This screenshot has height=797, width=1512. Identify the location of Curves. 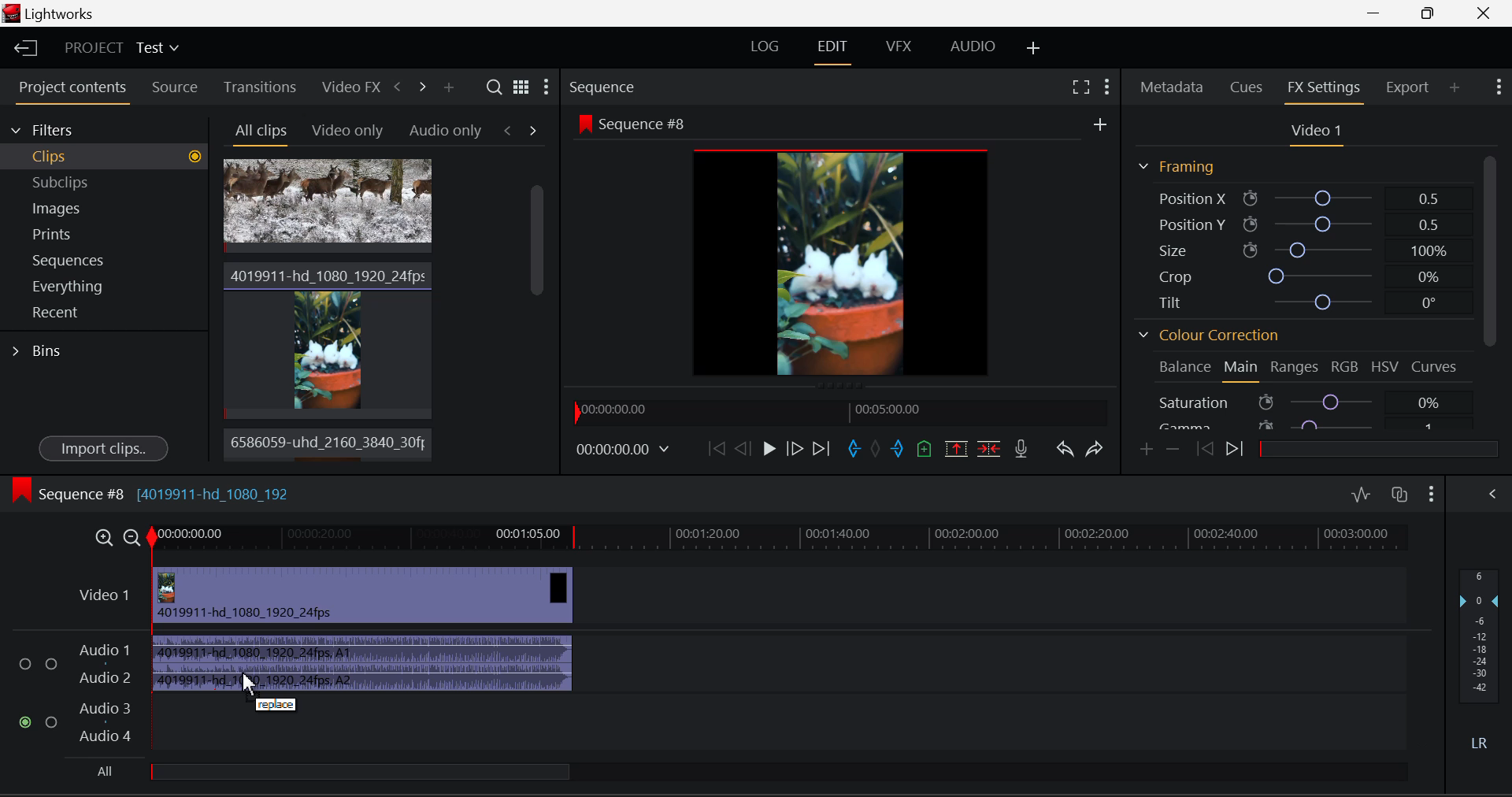
(1438, 365).